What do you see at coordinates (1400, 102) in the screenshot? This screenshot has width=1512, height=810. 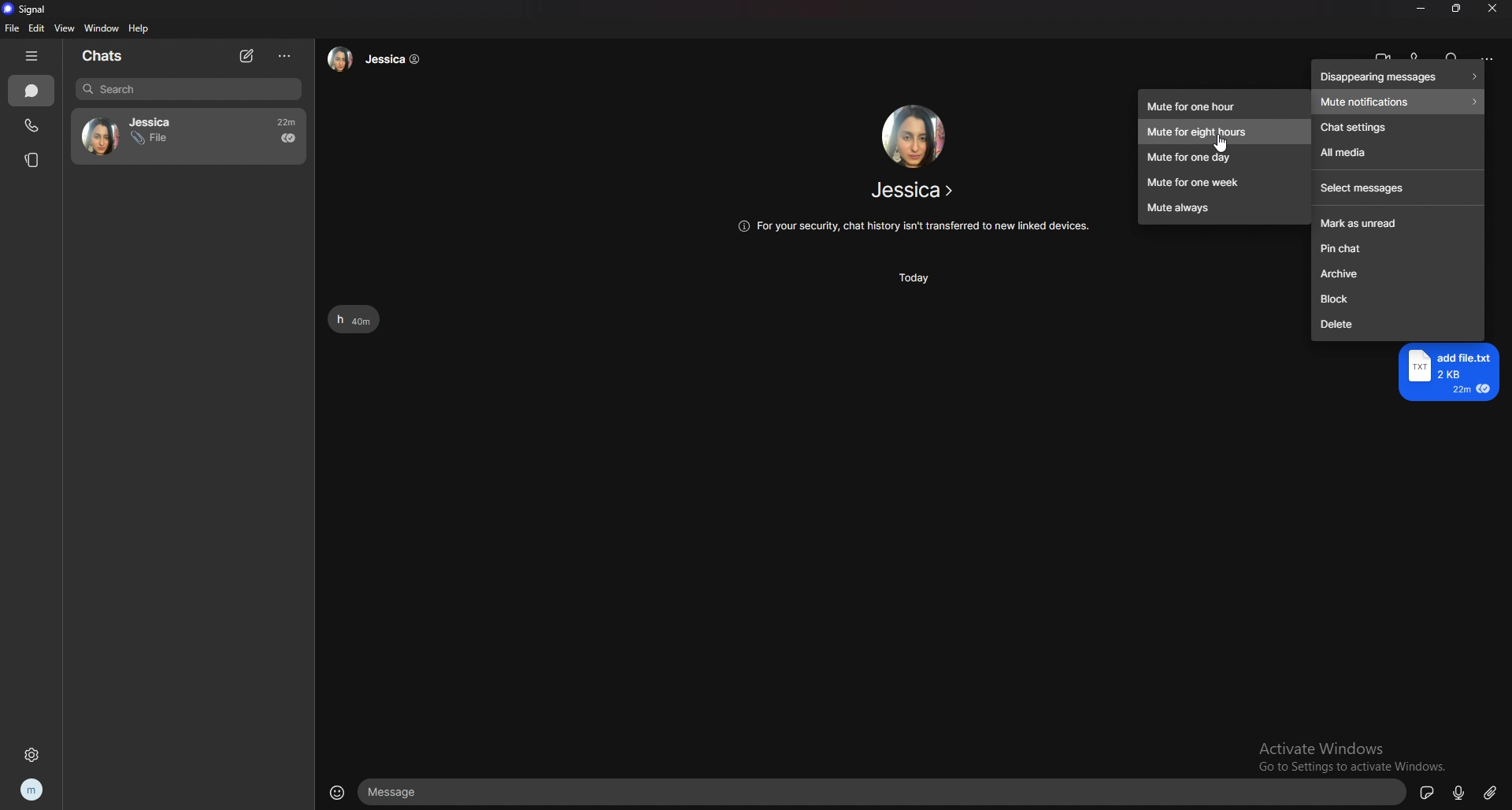 I see `mute notifications` at bounding box center [1400, 102].